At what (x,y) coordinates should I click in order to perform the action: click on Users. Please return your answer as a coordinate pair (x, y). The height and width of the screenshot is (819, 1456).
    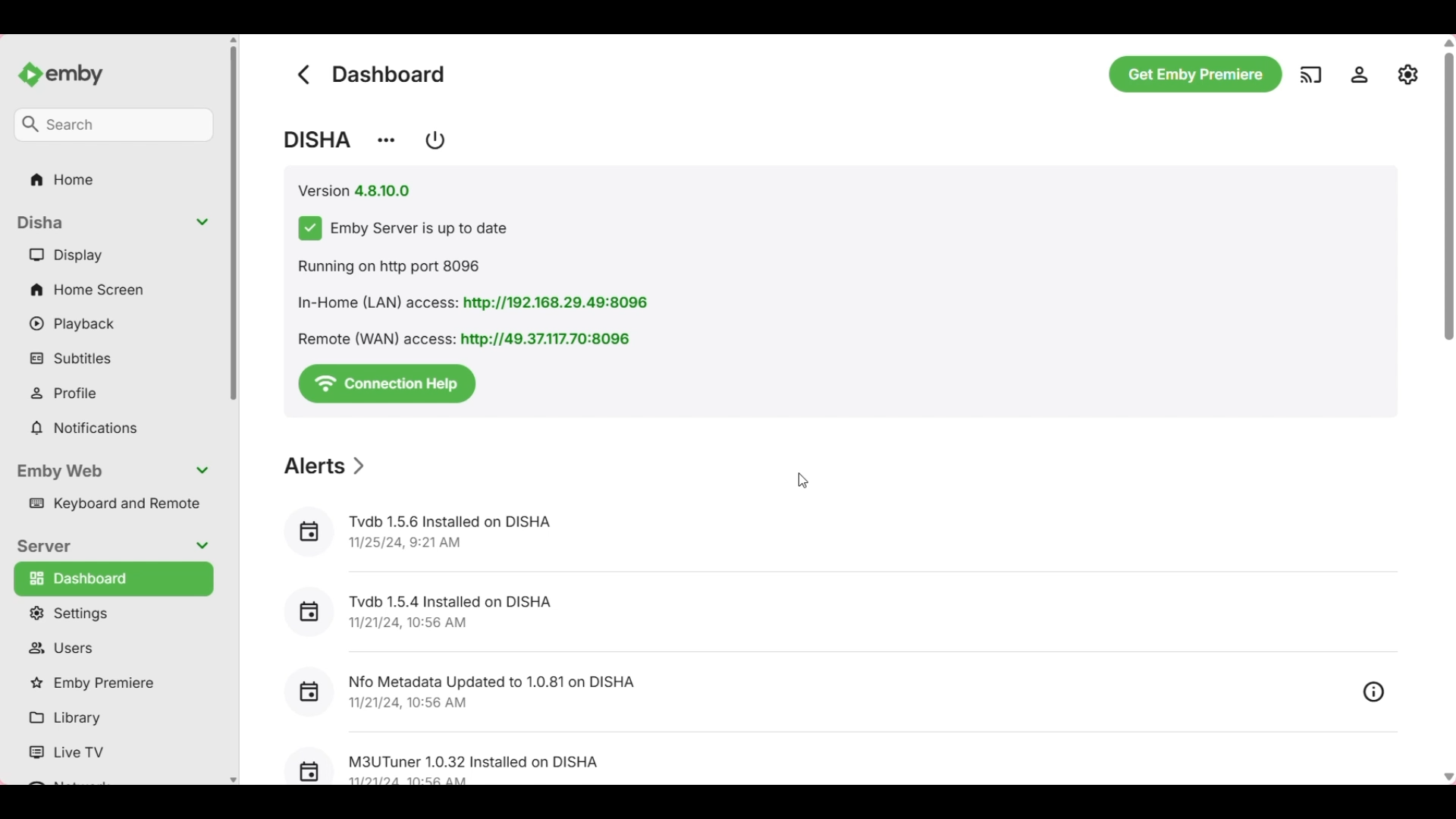
    Looking at the image, I should click on (113, 648).